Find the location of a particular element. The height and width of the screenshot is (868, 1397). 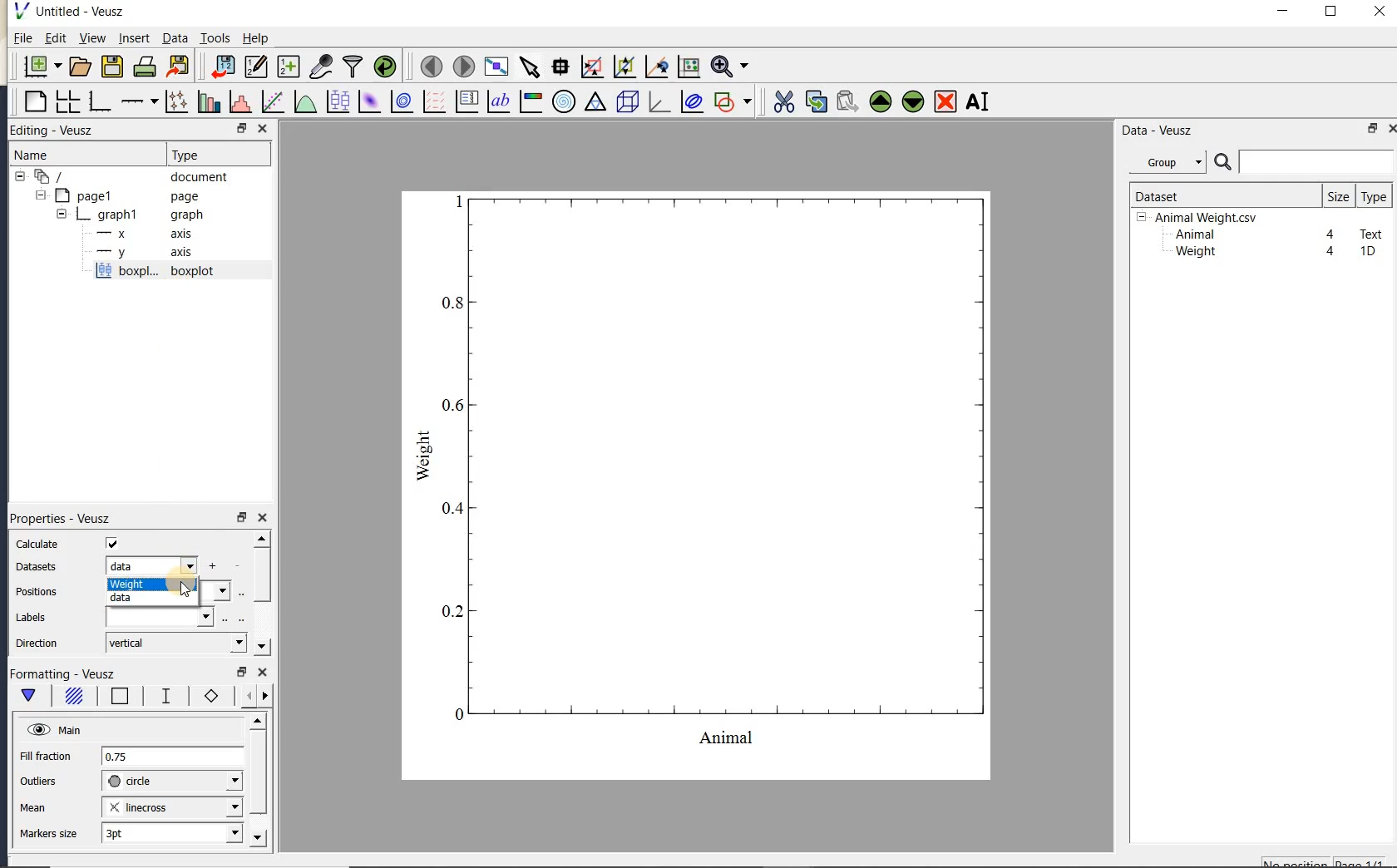

circle is located at coordinates (172, 782).